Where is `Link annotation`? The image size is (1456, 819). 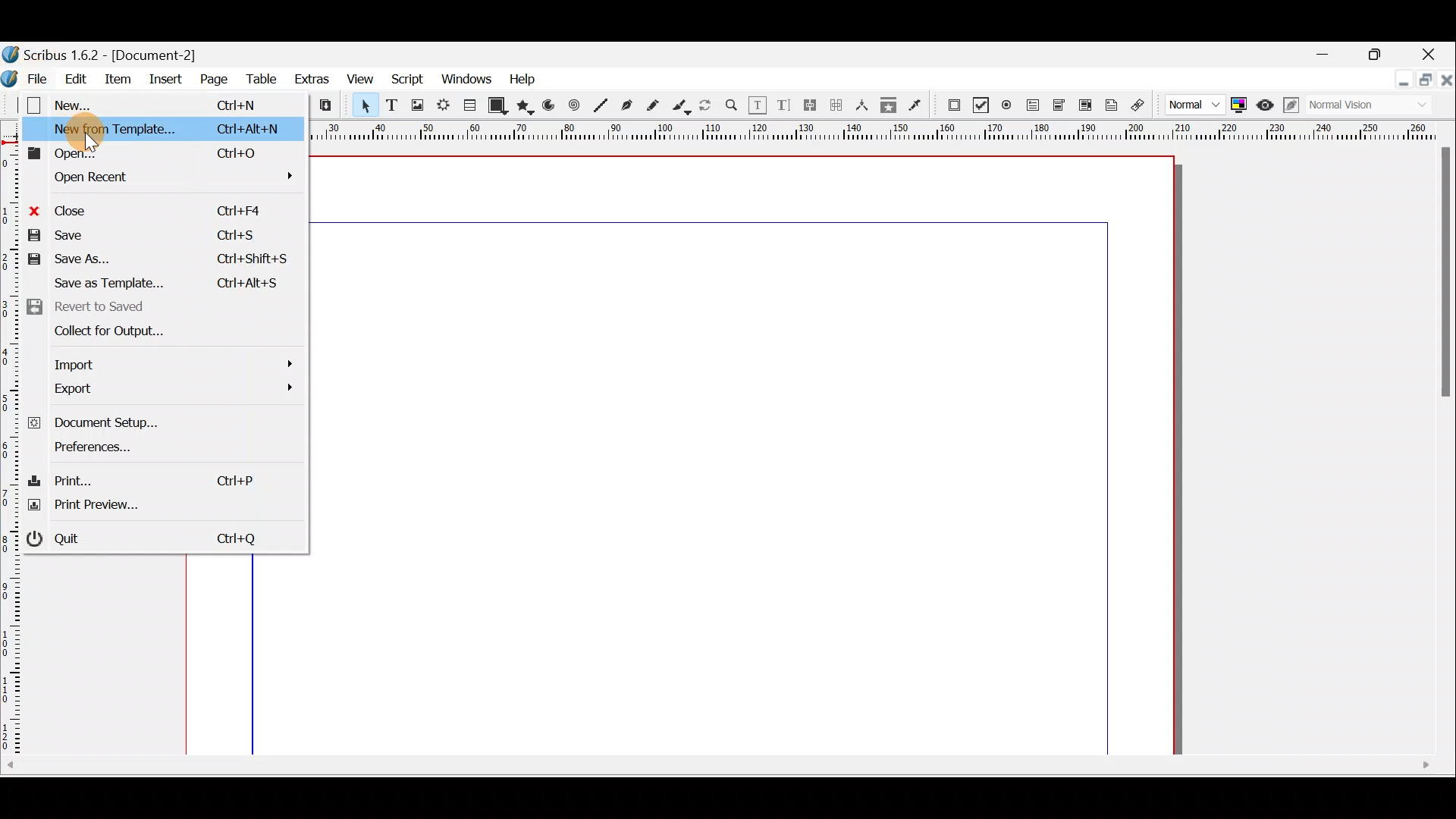
Link annotation is located at coordinates (1137, 106).